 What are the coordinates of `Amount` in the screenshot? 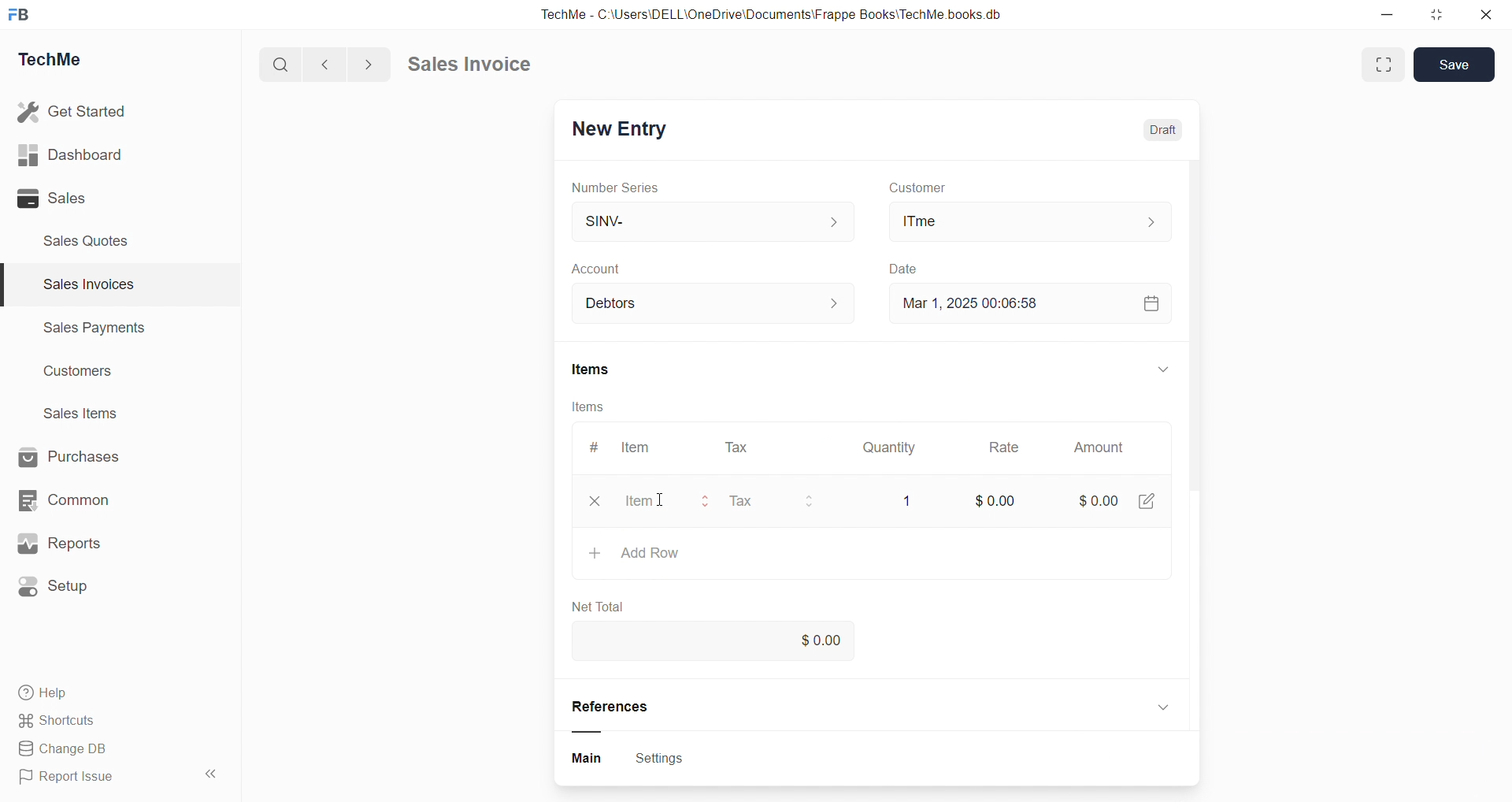 It's located at (1098, 448).